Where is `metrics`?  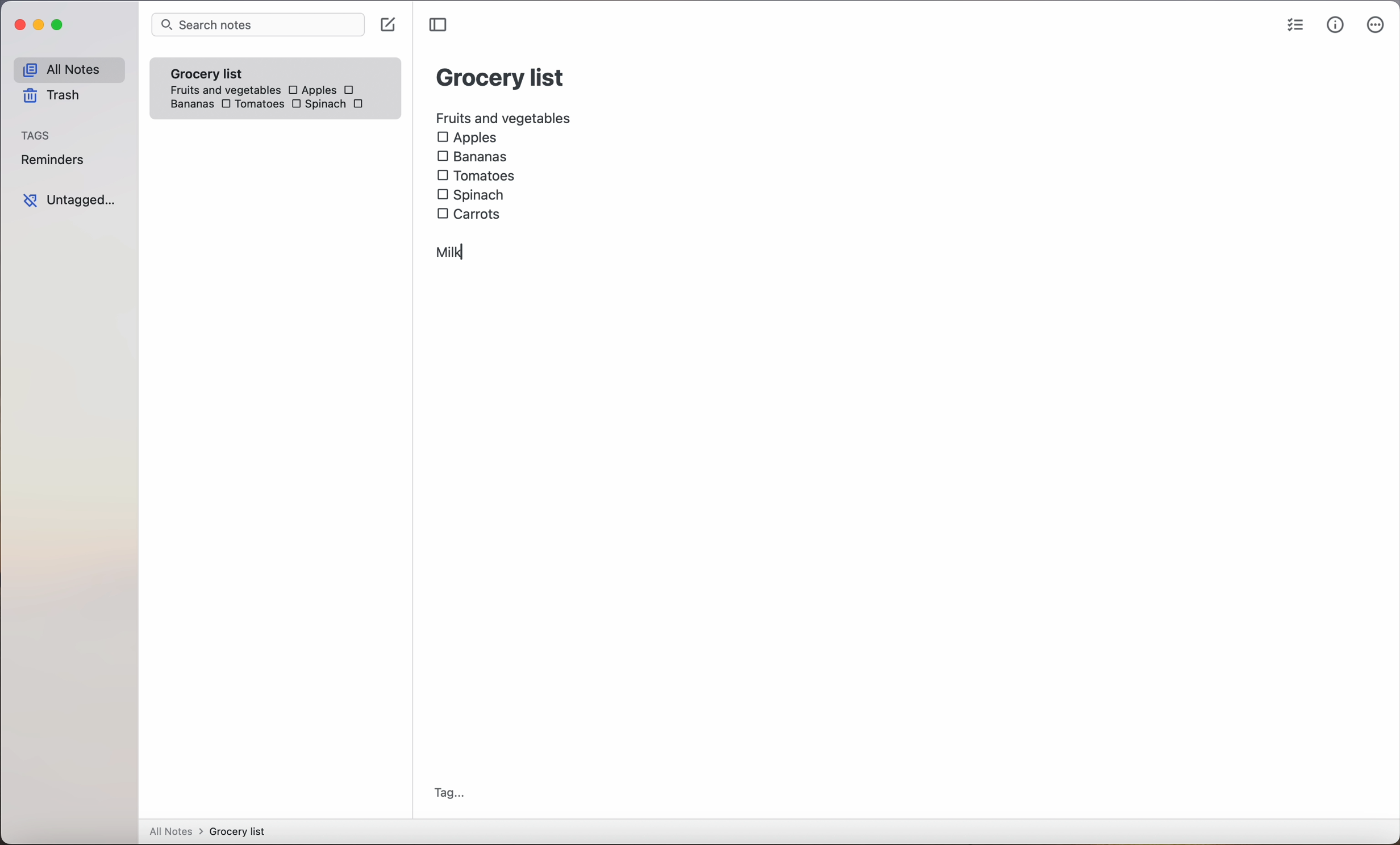
metrics is located at coordinates (1335, 26).